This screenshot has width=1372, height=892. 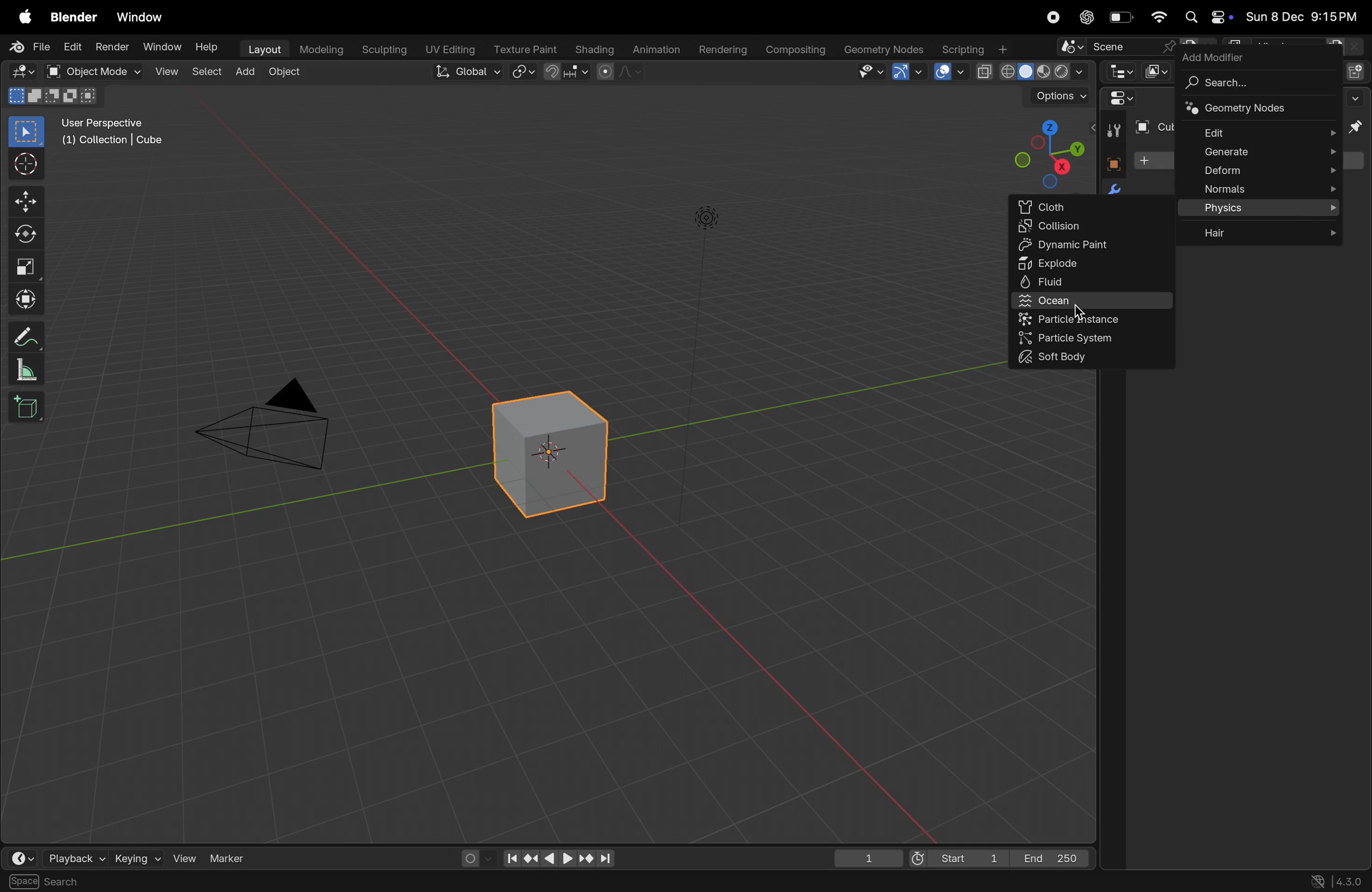 What do you see at coordinates (1156, 71) in the screenshot?
I see `display mode` at bounding box center [1156, 71].